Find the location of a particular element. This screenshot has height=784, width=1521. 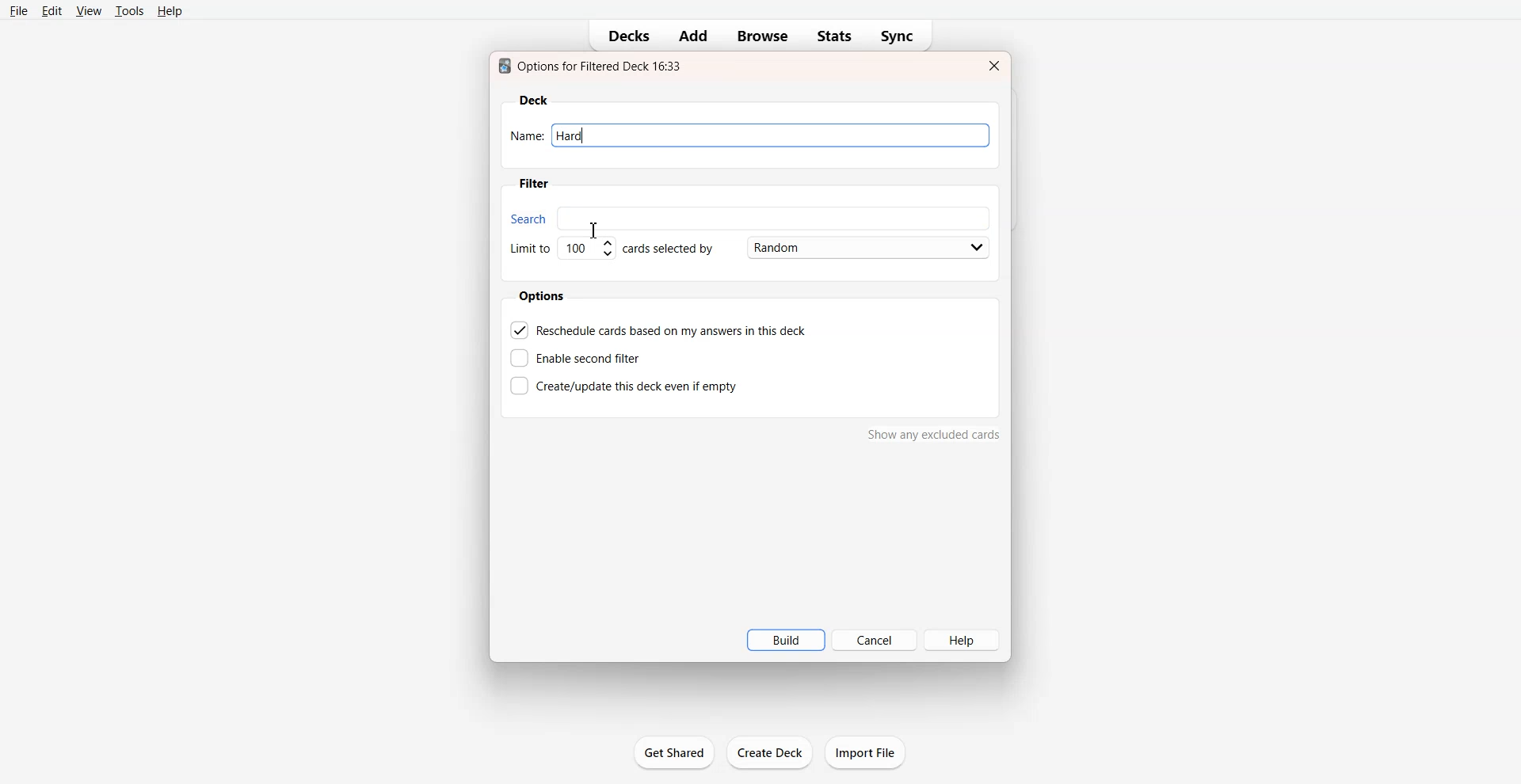

Help is located at coordinates (171, 11).